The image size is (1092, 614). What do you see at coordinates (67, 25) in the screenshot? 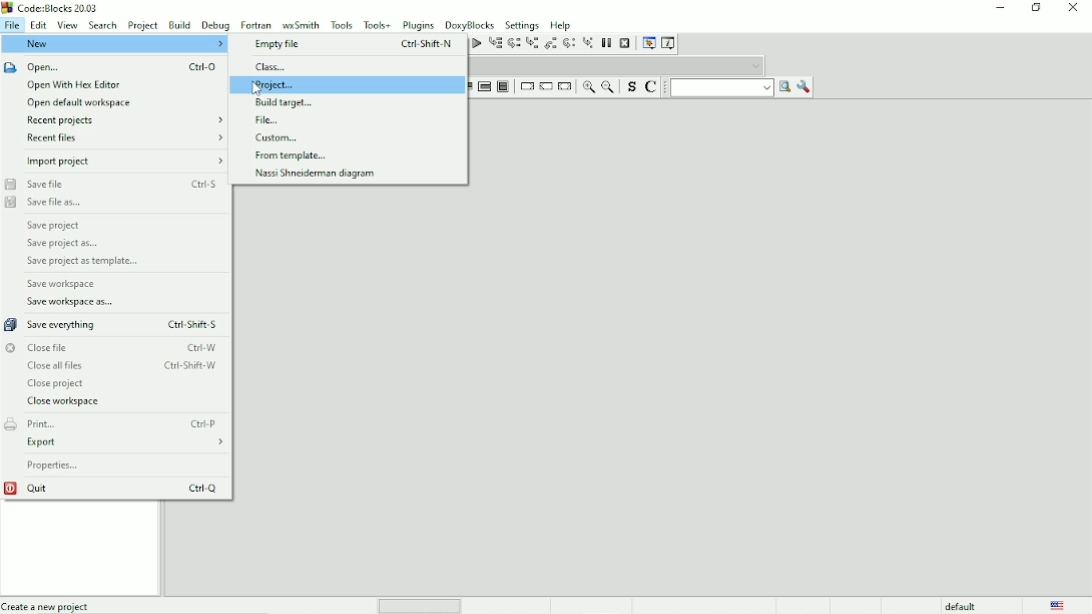
I see `View` at bounding box center [67, 25].